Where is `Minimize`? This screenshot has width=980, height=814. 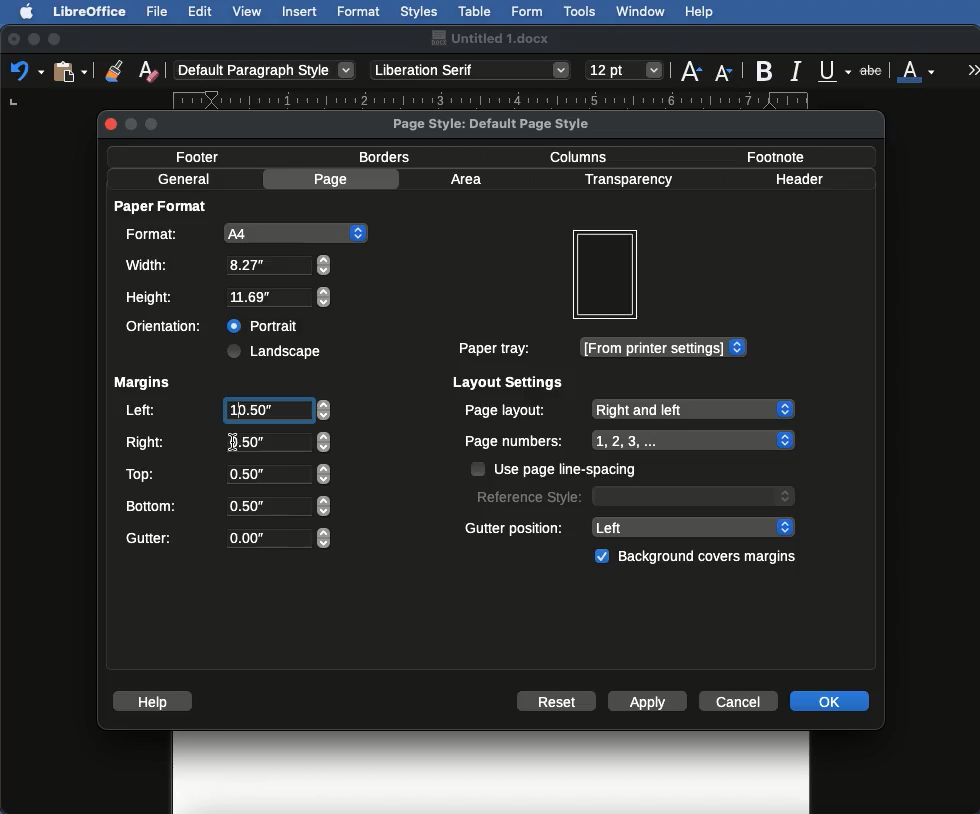
Minimize is located at coordinates (33, 39).